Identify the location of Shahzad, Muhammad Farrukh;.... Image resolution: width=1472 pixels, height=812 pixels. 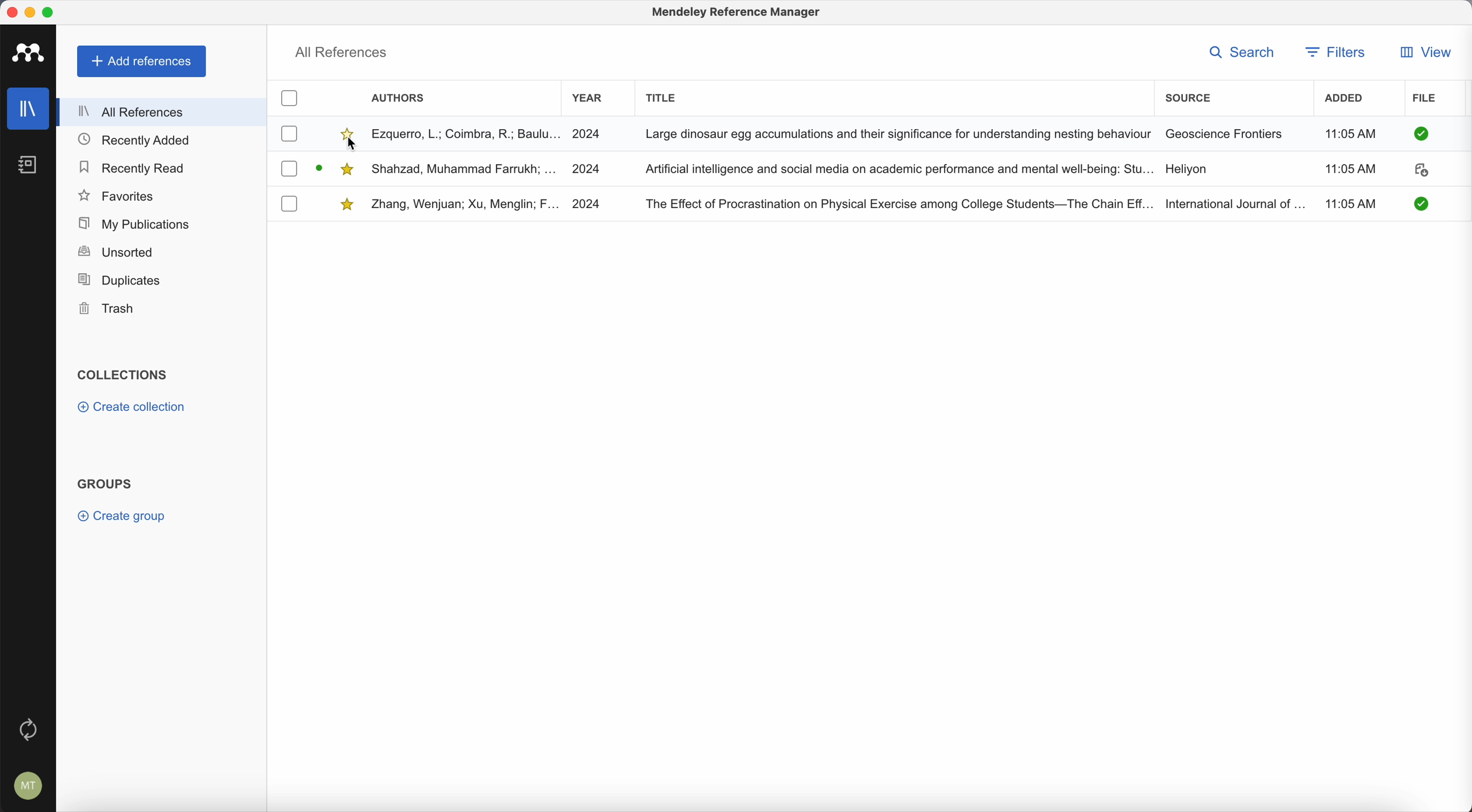
(466, 168).